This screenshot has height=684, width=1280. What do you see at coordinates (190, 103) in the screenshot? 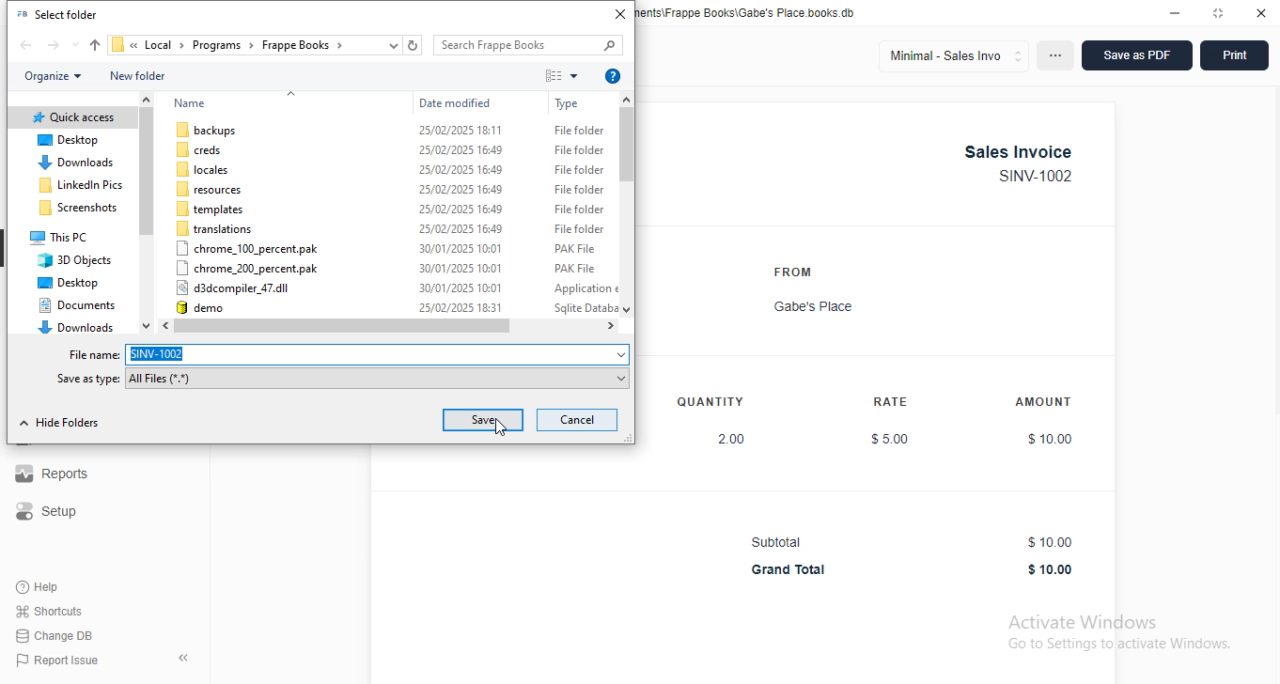
I see `name` at bounding box center [190, 103].